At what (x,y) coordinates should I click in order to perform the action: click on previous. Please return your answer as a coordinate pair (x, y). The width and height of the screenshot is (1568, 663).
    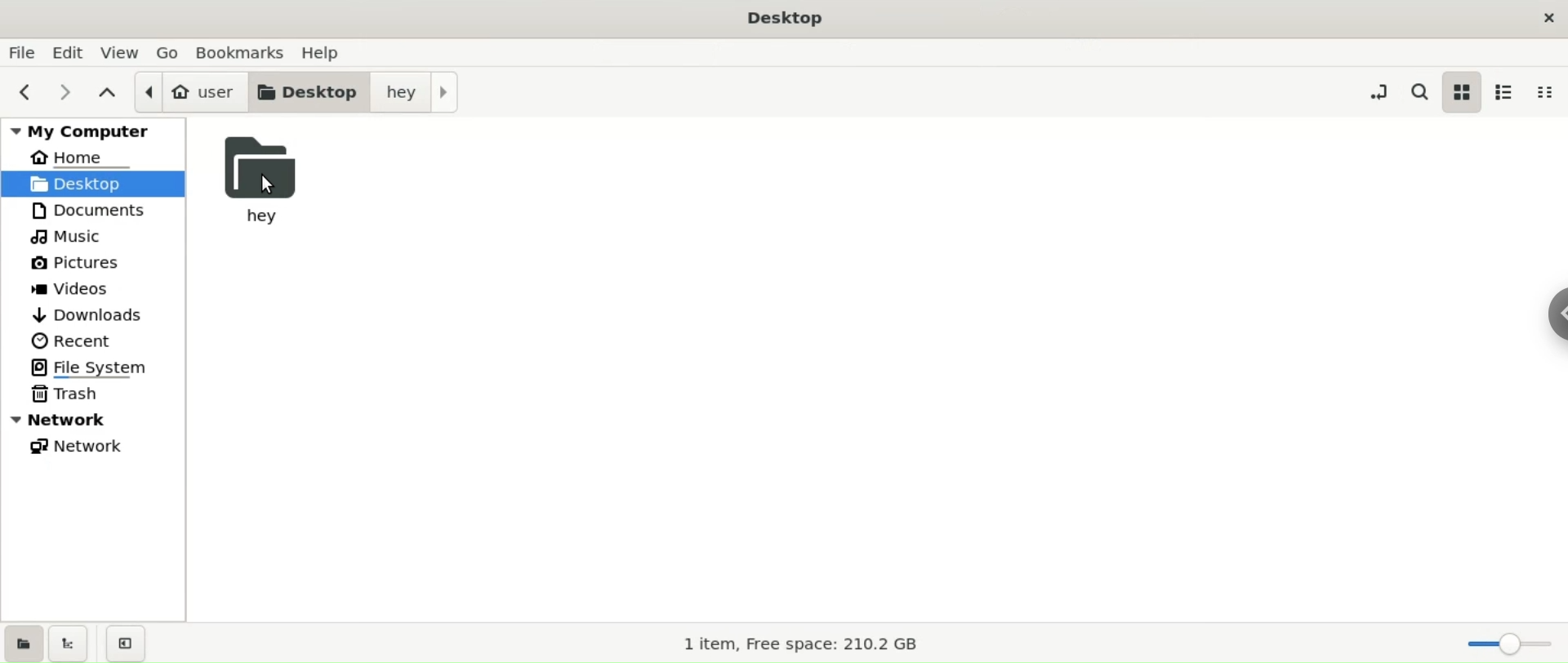
    Looking at the image, I should click on (27, 90).